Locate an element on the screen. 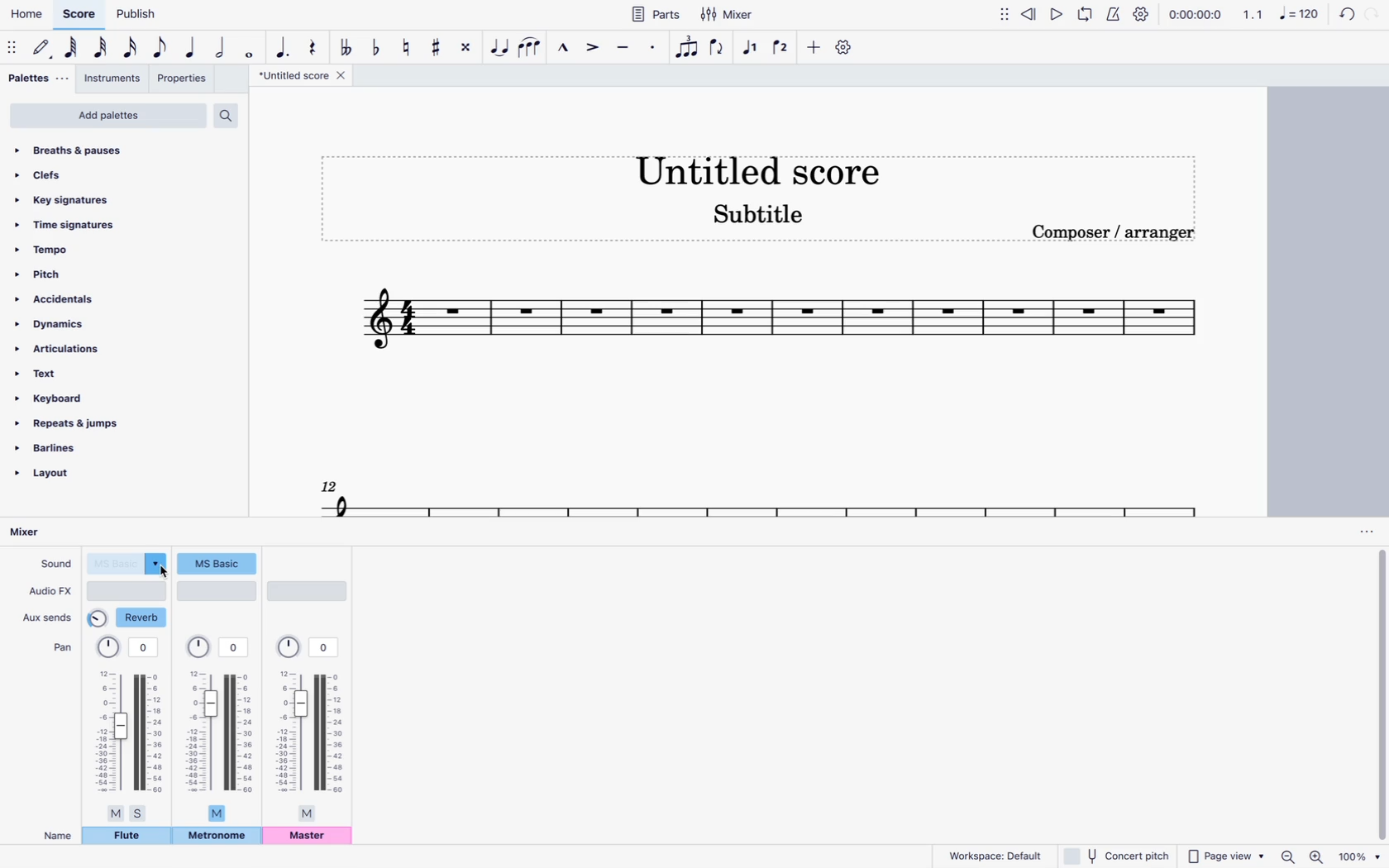  rewind is located at coordinates (1031, 12).